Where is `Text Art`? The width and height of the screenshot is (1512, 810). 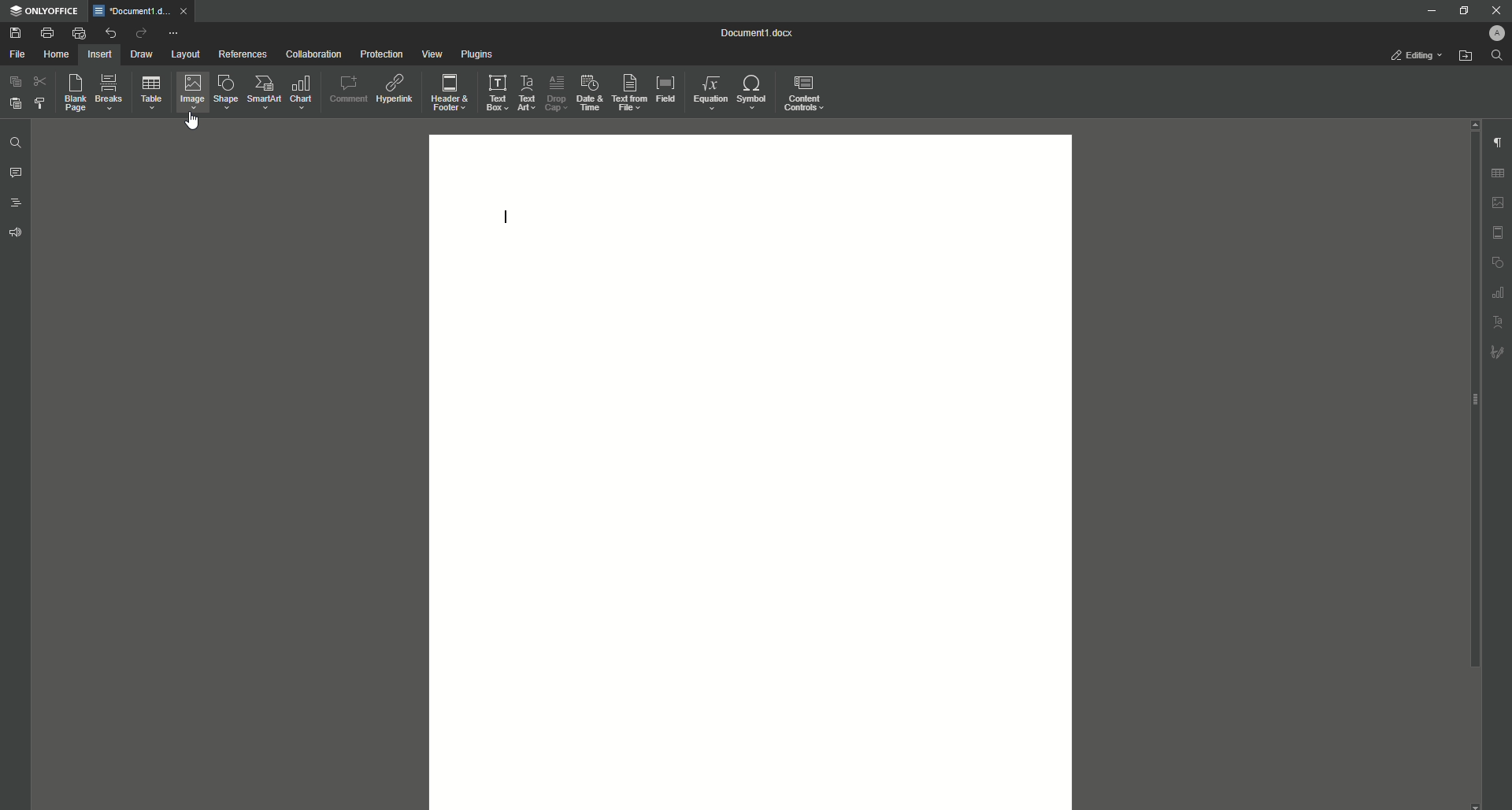 Text Art is located at coordinates (528, 95).